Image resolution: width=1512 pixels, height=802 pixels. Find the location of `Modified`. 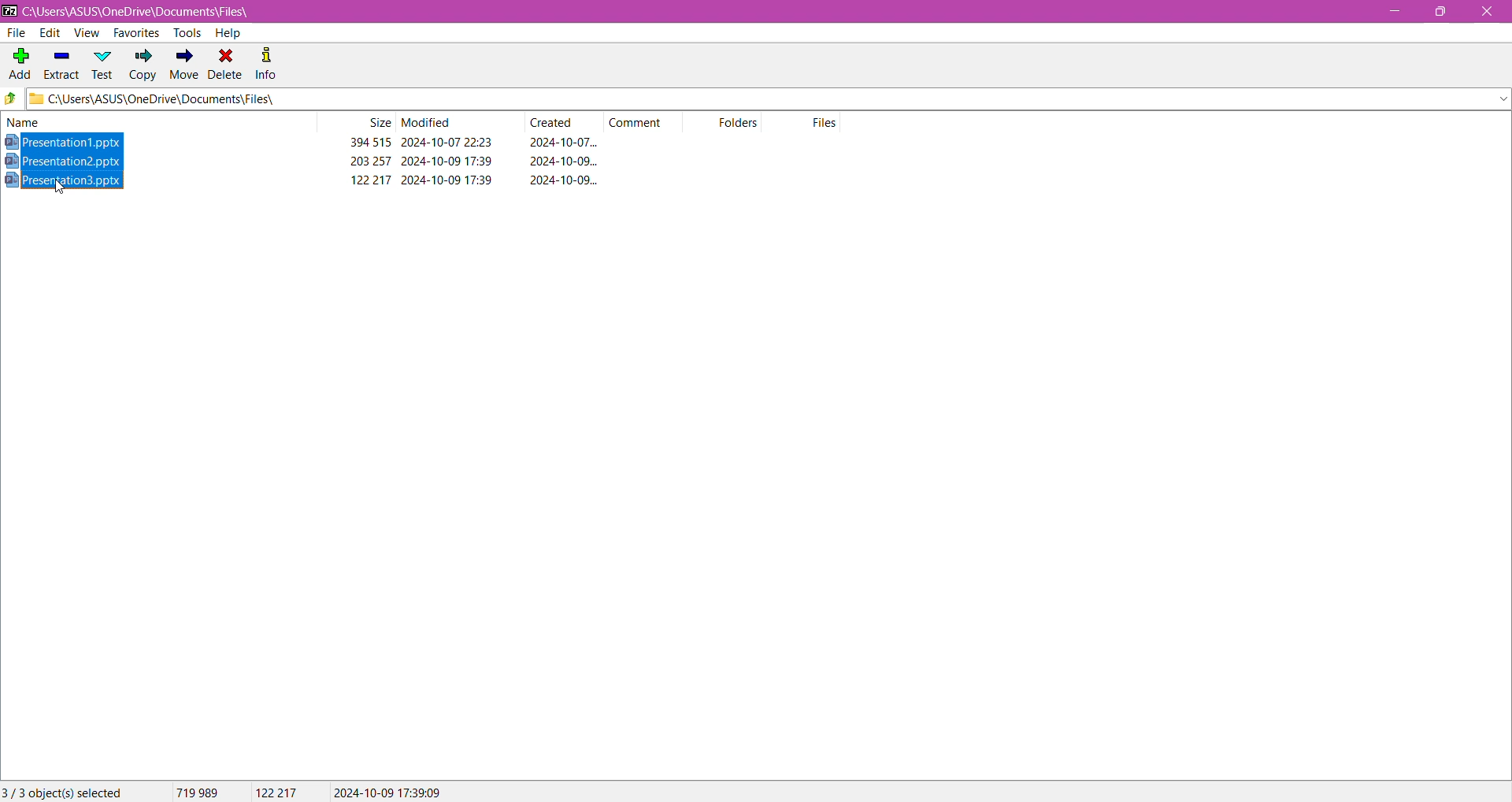

Modified is located at coordinates (428, 123).